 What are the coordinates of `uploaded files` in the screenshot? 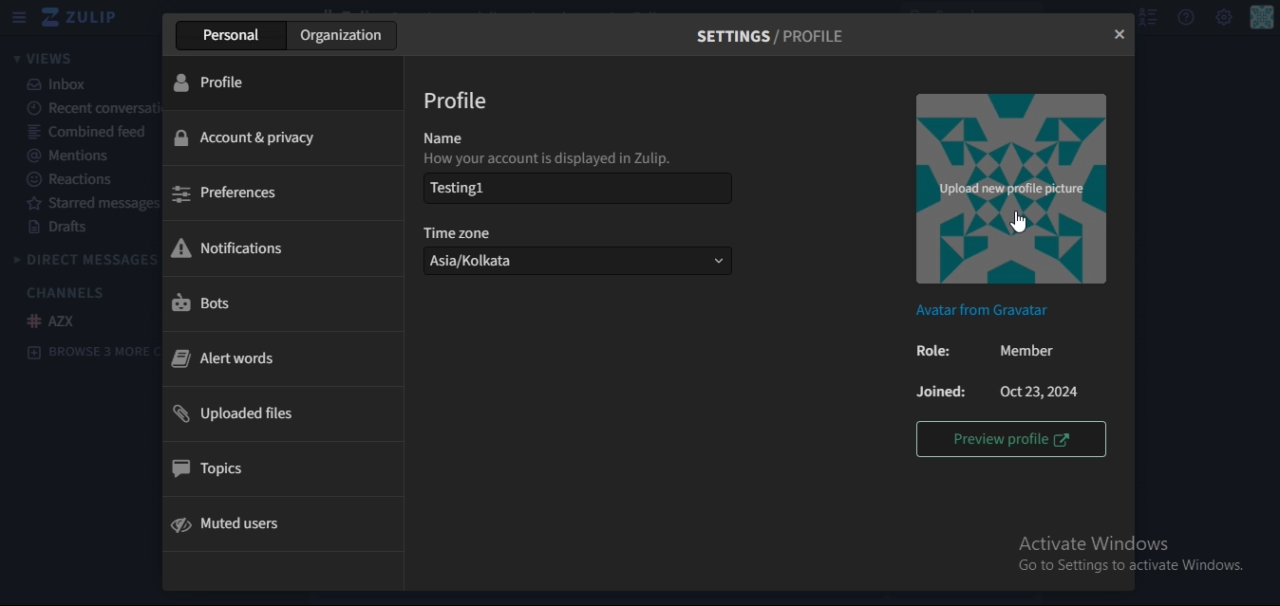 It's located at (238, 411).